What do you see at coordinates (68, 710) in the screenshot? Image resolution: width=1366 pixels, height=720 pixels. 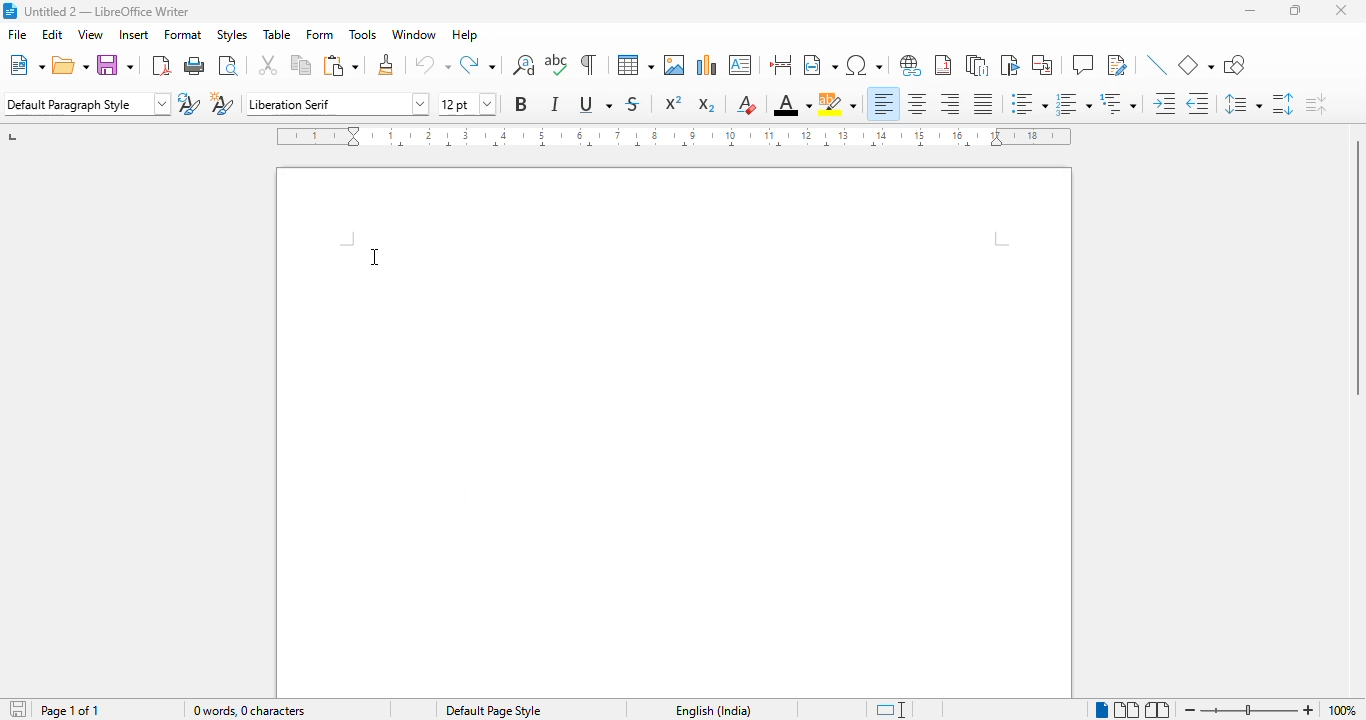 I see `page 1 of 1` at bounding box center [68, 710].